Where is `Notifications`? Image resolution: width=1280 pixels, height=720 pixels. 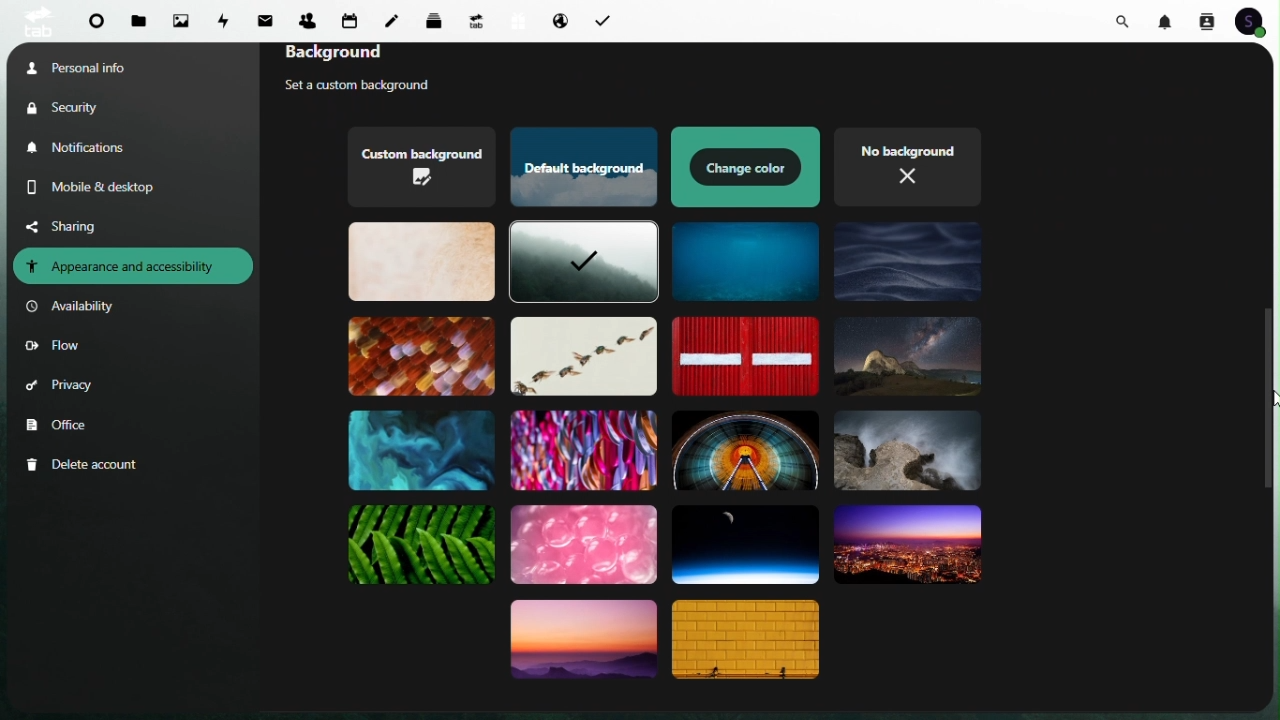
Notifications is located at coordinates (83, 148).